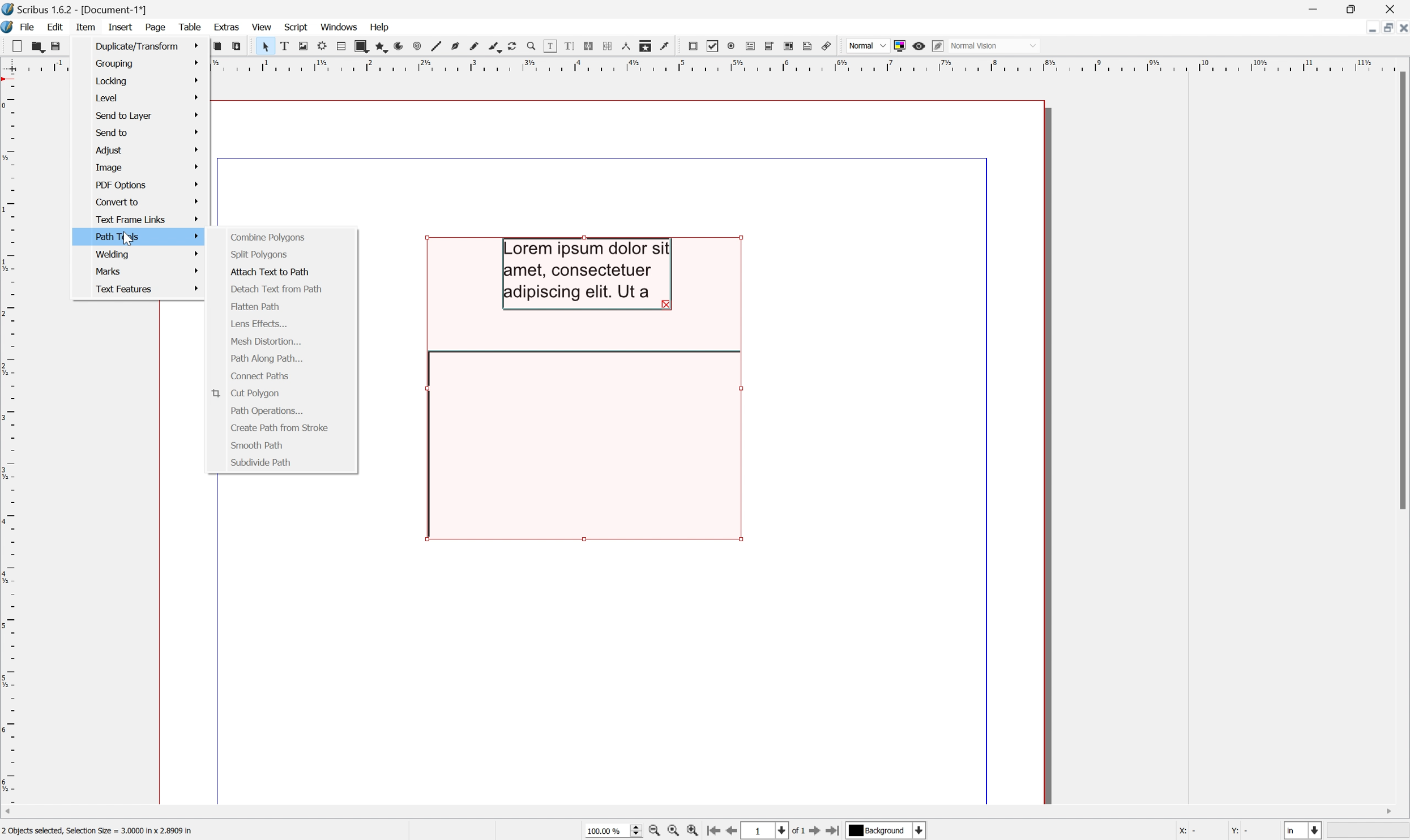  Describe the element at coordinates (128, 241) in the screenshot. I see `cursor` at that location.